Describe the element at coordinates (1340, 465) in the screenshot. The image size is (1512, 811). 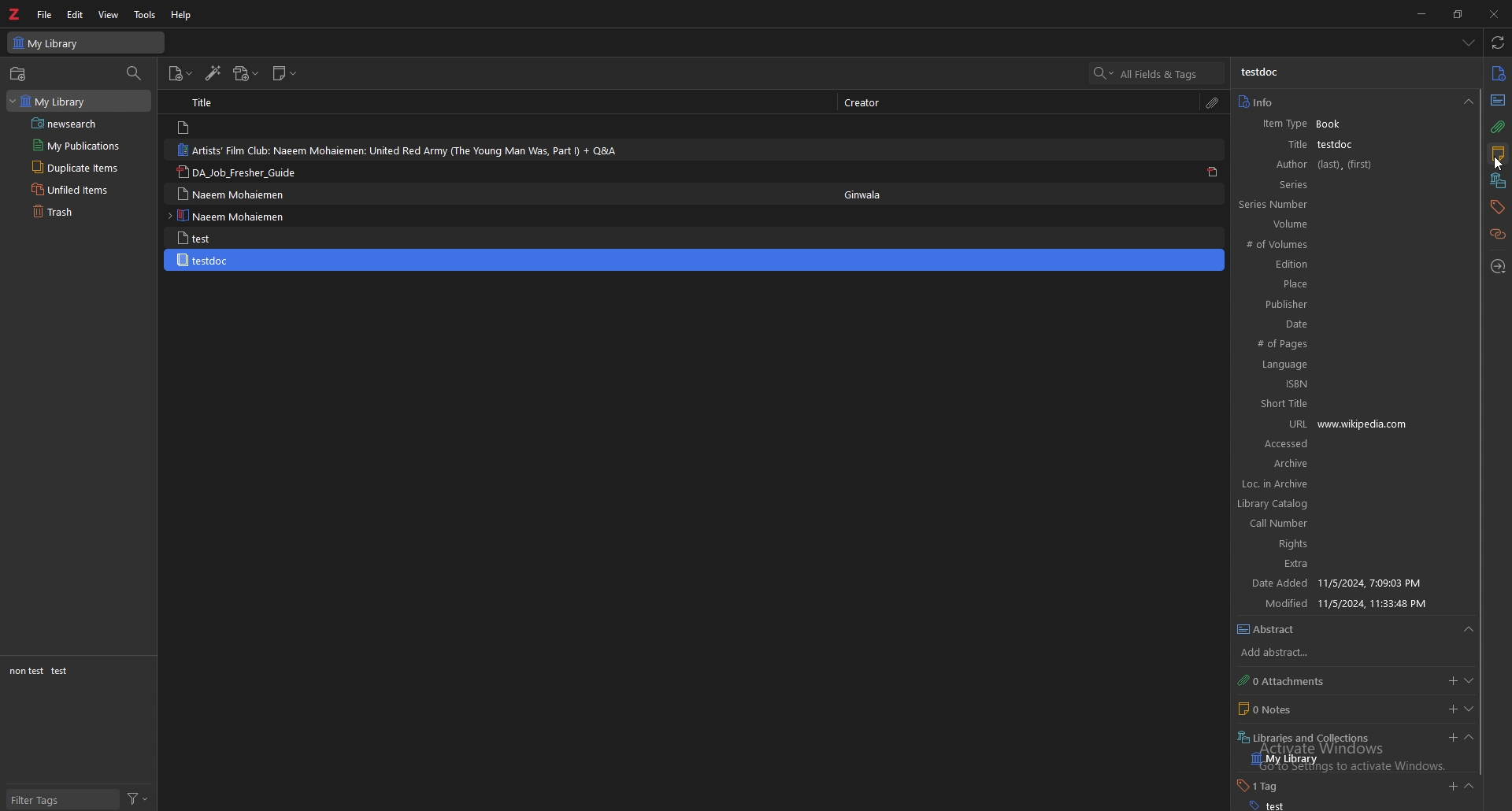
I see `archive` at that location.